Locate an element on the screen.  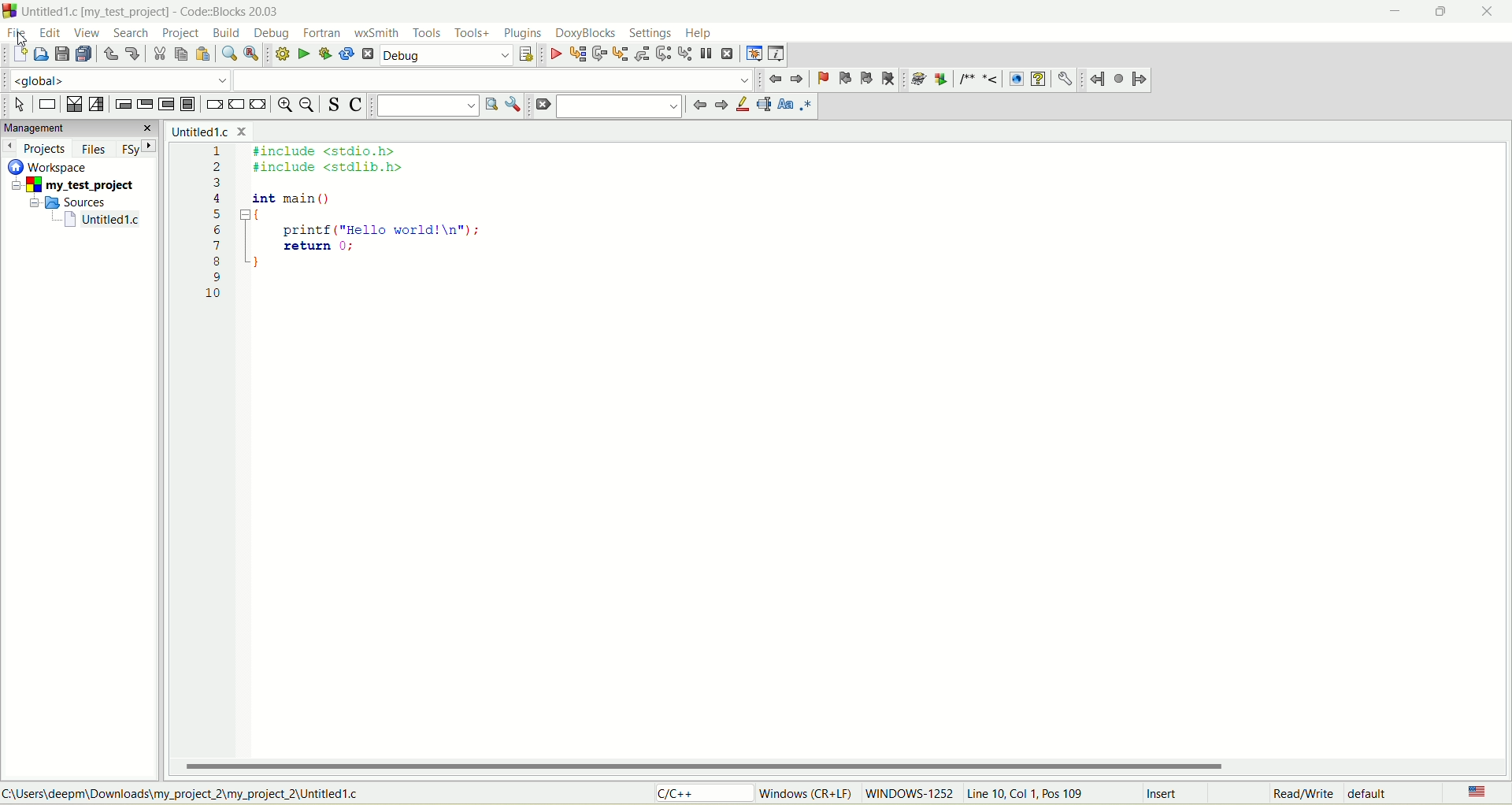
paste is located at coordinates (202, 54).